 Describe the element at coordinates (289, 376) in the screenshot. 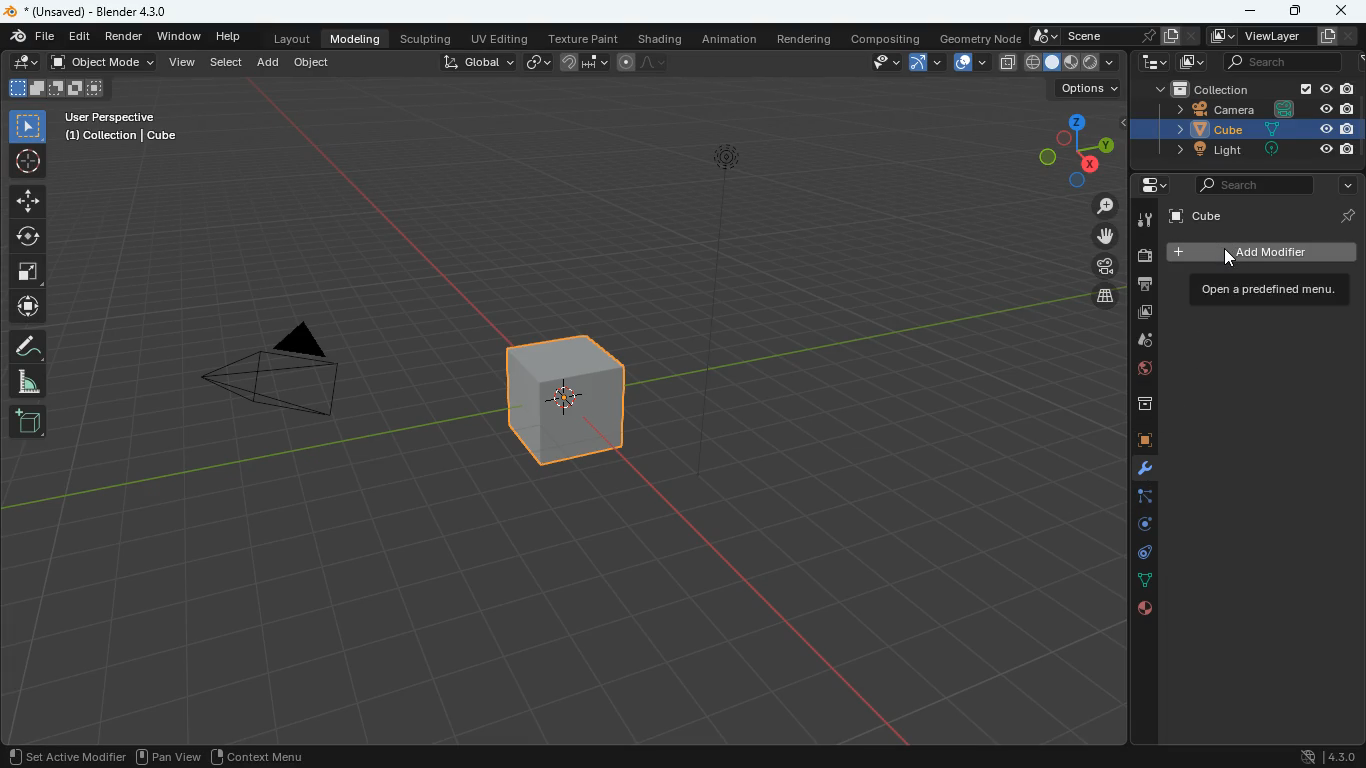

I see `camera` at that location.